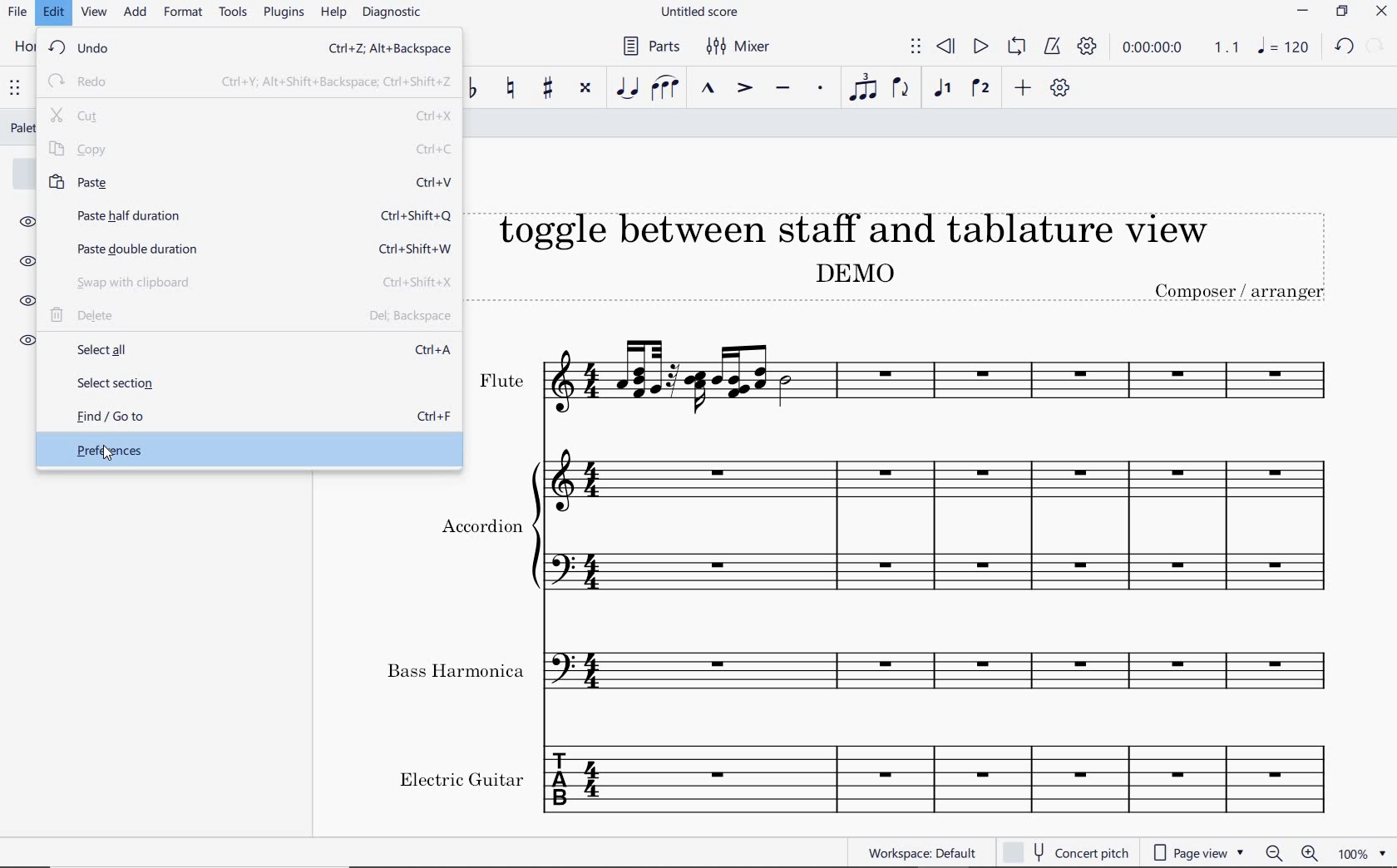 The image size is (1397, 868). Describe the element at coordinates (625, 87) in the screenshot. I see `tie` at that location.